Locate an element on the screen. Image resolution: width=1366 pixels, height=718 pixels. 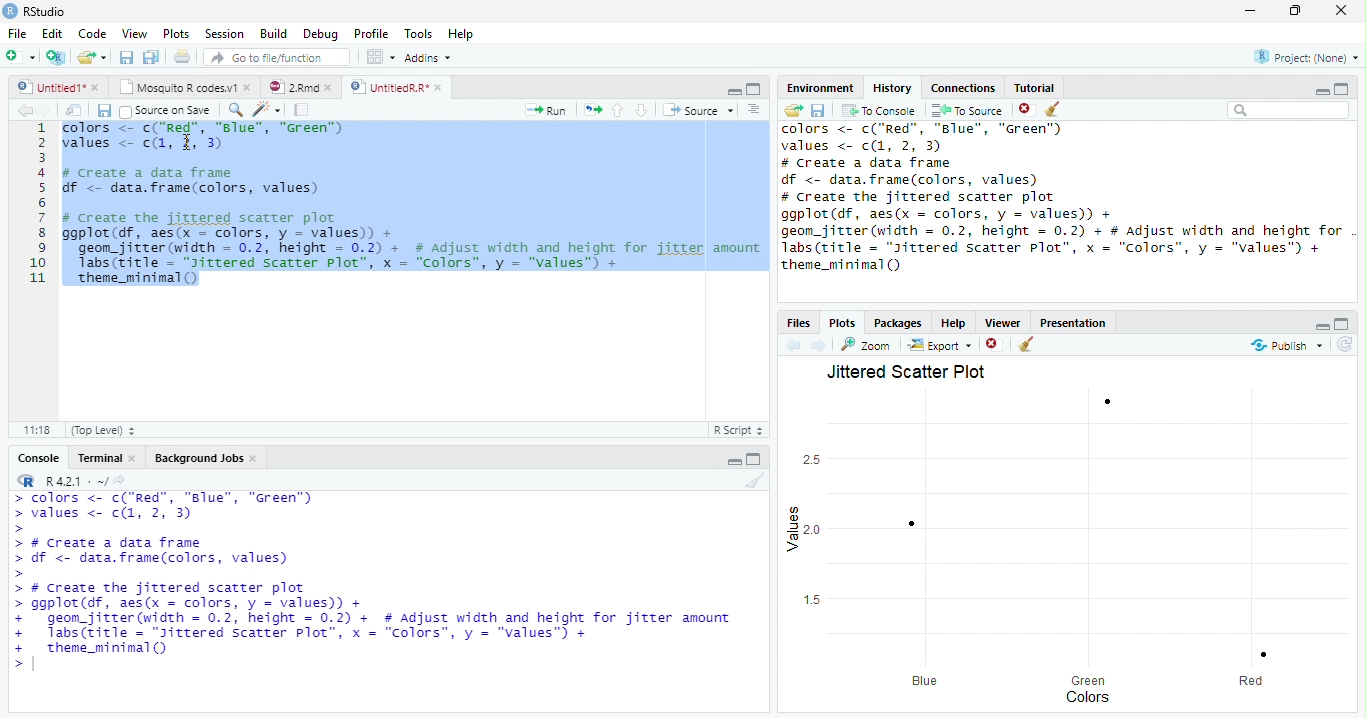
close is located at coordinates (328, 88).